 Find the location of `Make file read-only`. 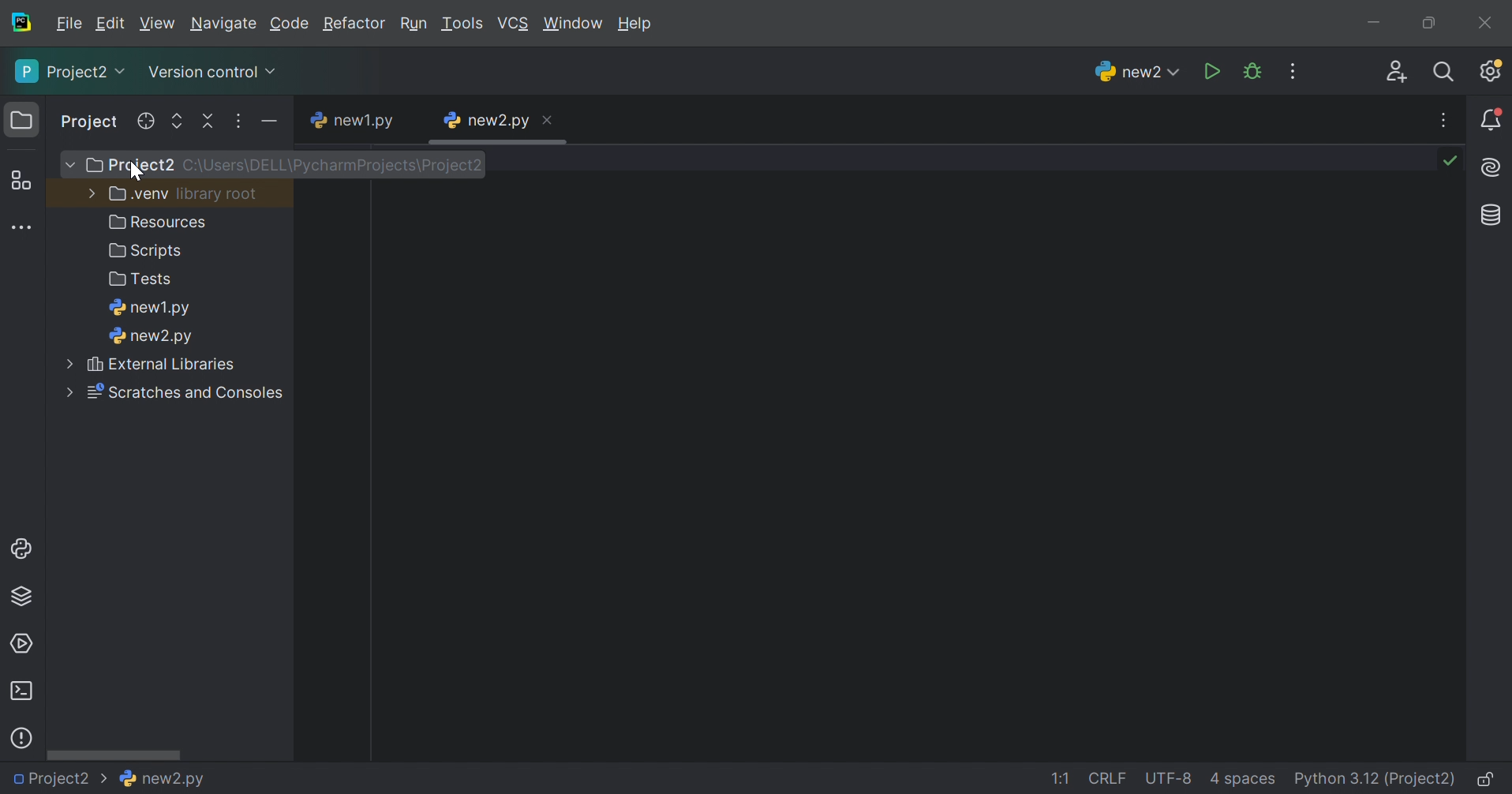

Make file read-only is located at coordinates (1488, 781).